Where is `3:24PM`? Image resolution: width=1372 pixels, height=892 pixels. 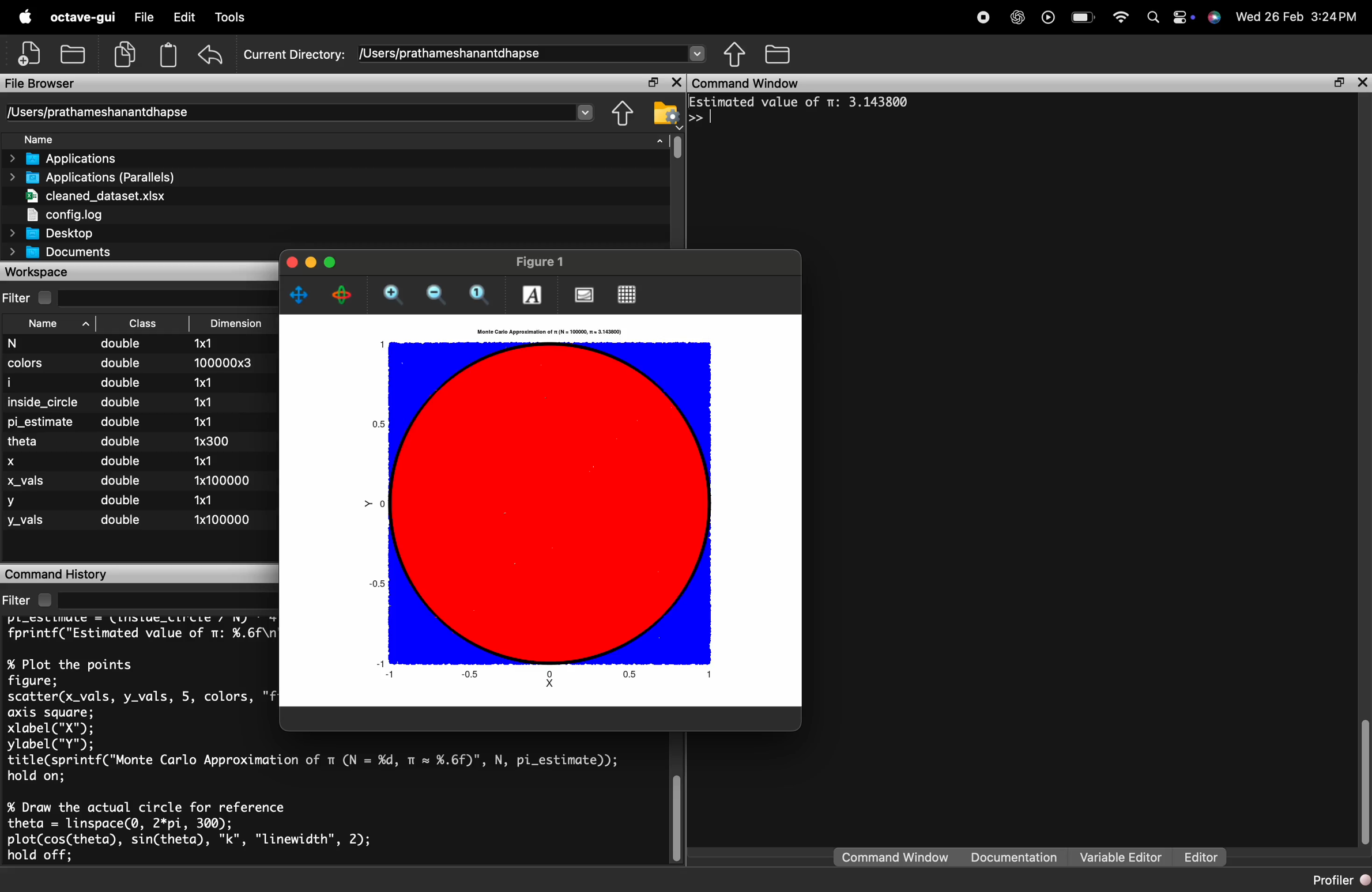 3:24PM is located at coordinates (1336, 17).